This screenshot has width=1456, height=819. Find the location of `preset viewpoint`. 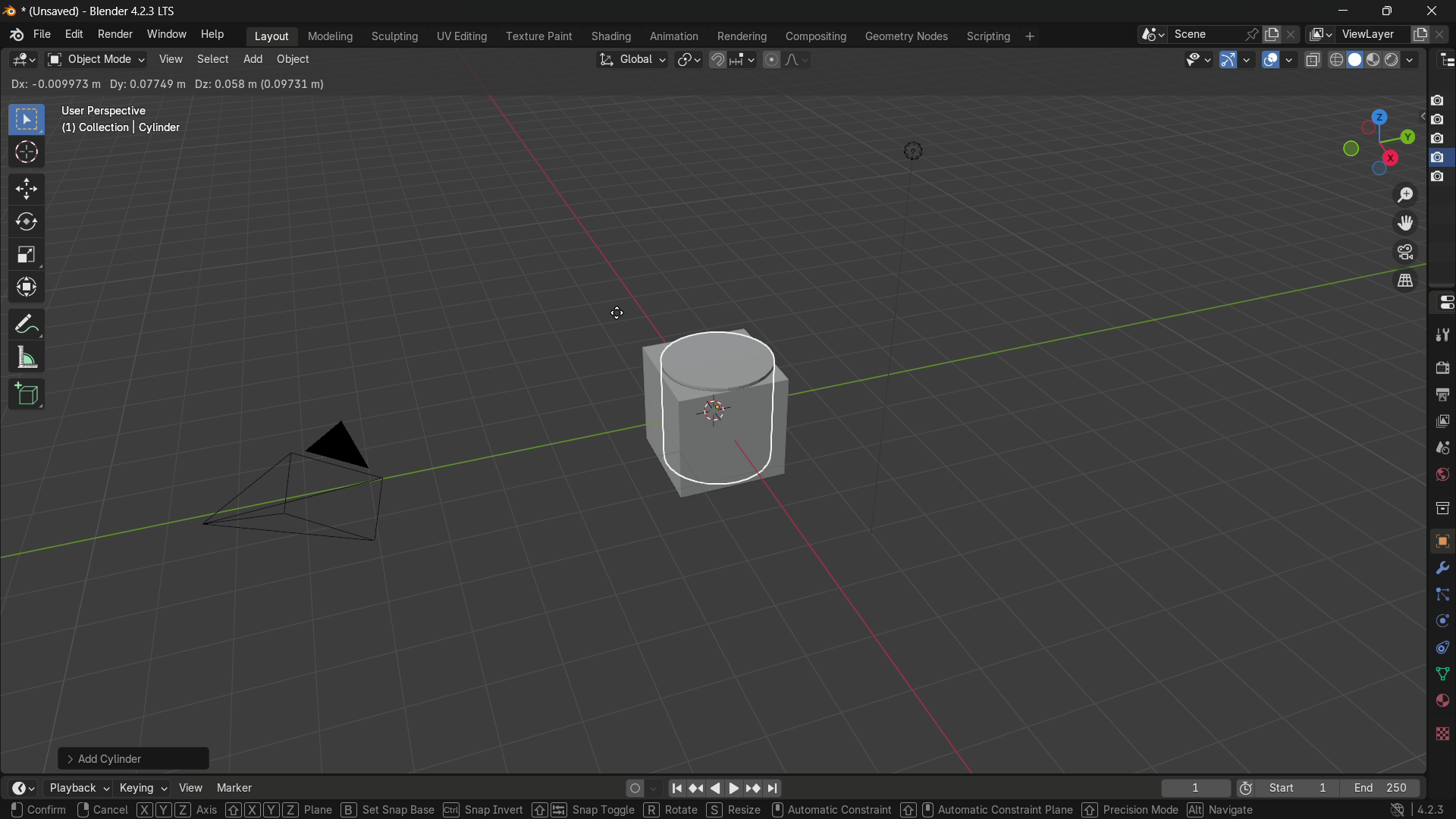

preset viewpoint is located at coordinates (1378, 143).